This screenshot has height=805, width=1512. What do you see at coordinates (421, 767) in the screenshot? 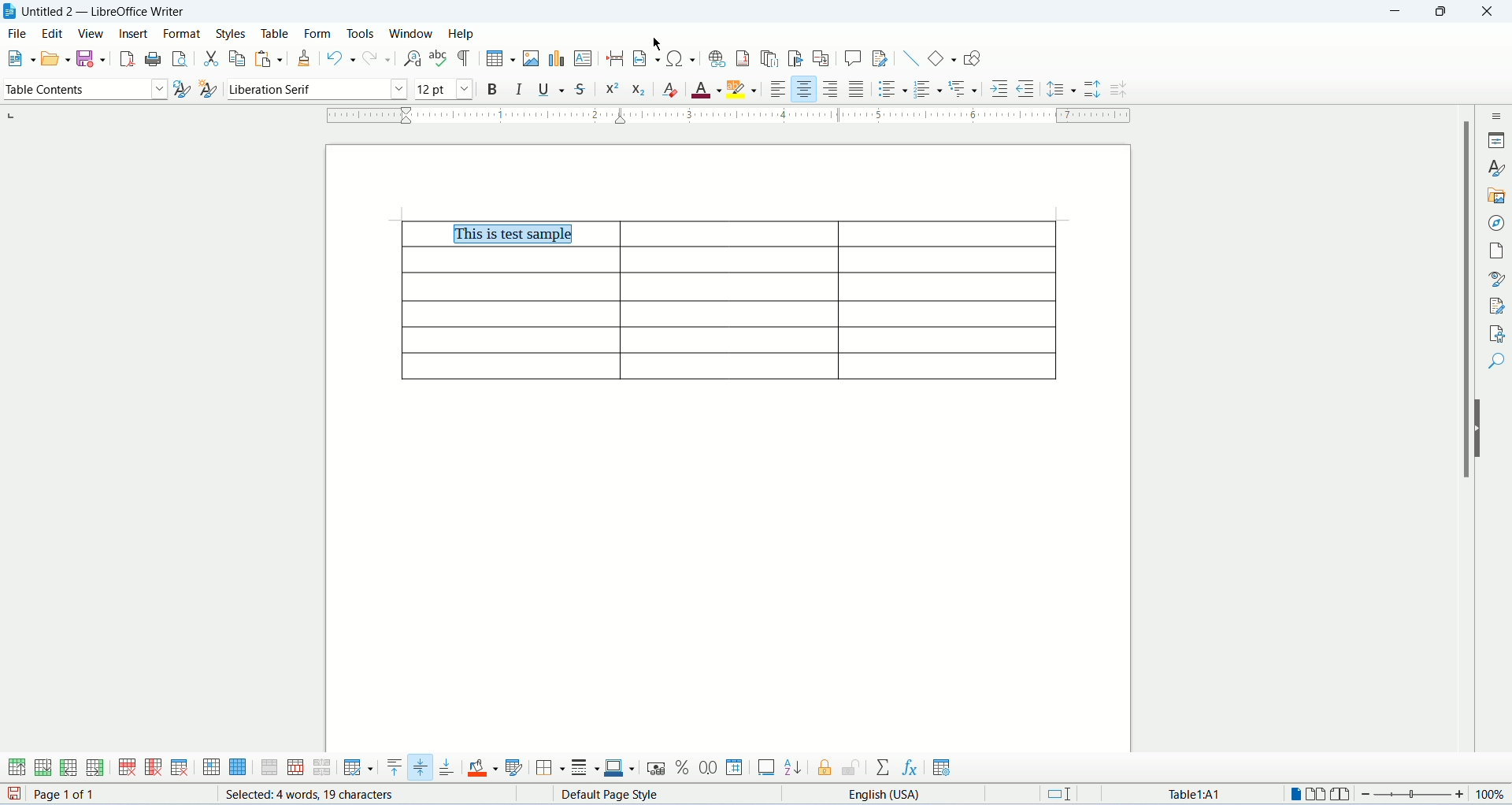
I see `center vertically` at bounding box center [421, 767].